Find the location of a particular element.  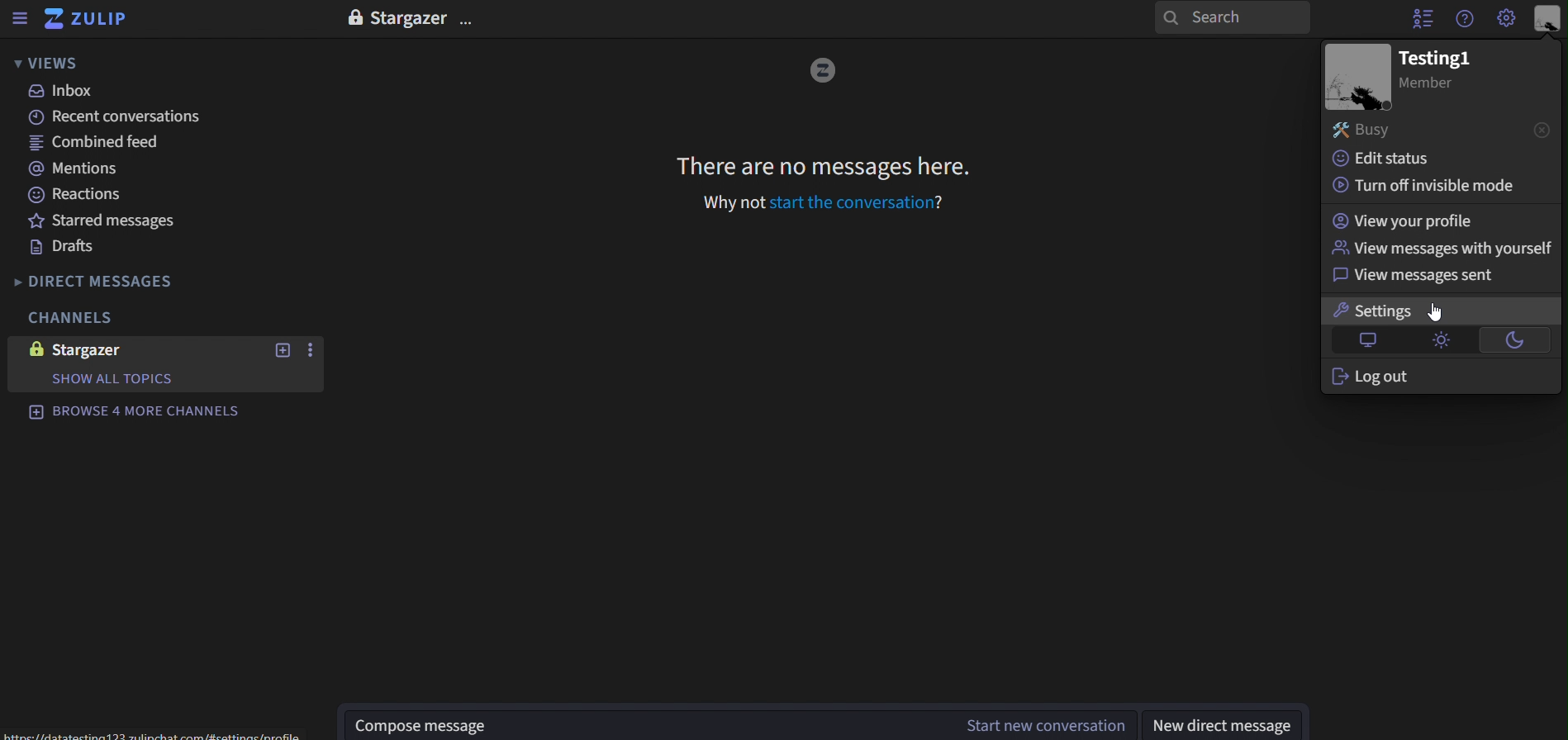

starred messages is located at coordinates (111, 221).